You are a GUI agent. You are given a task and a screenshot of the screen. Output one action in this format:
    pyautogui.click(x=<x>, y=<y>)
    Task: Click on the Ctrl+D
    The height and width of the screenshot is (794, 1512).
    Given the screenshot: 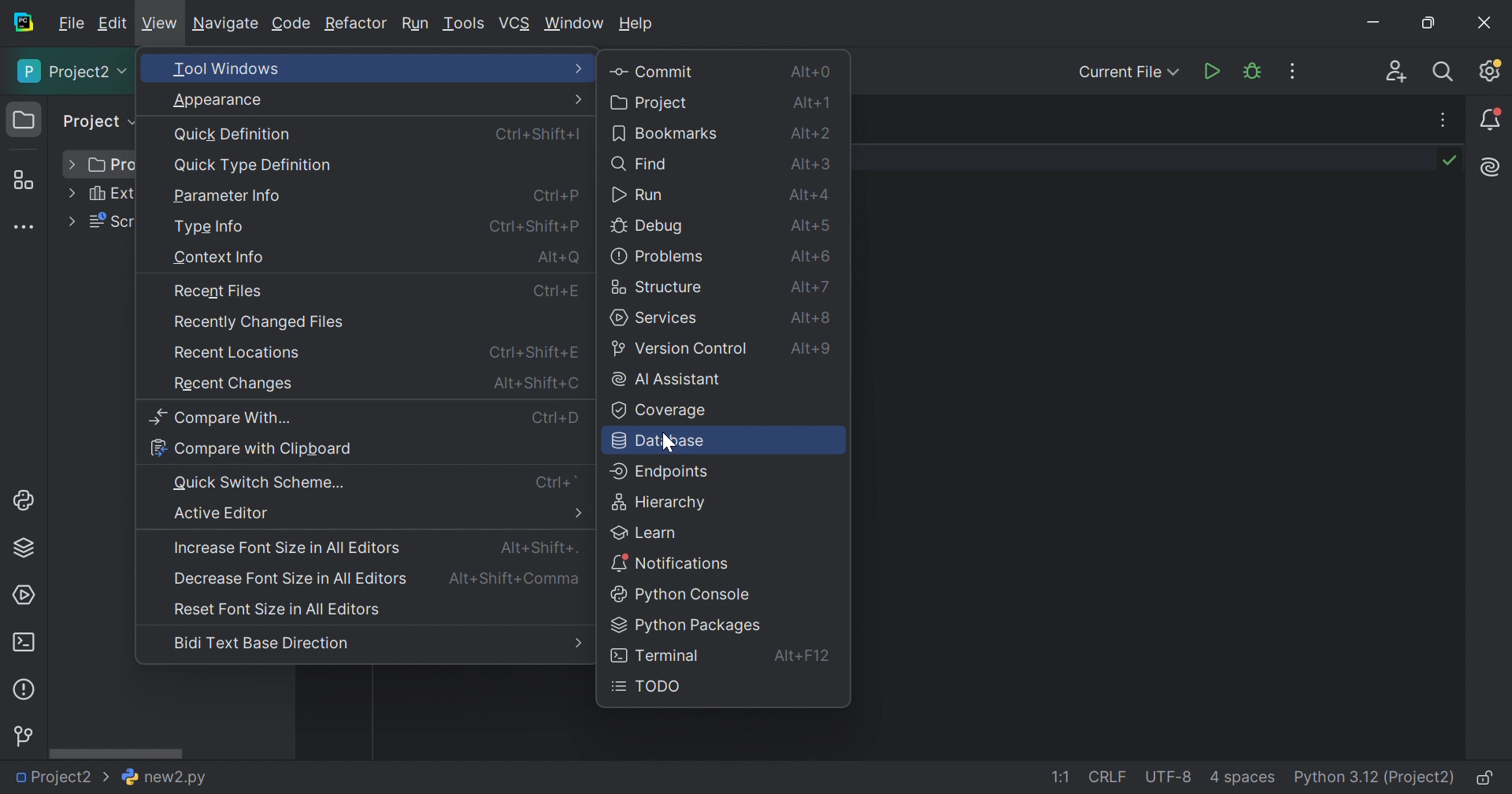 What is the action you would take?
    pyautogui.click(x=556, y=421)
    